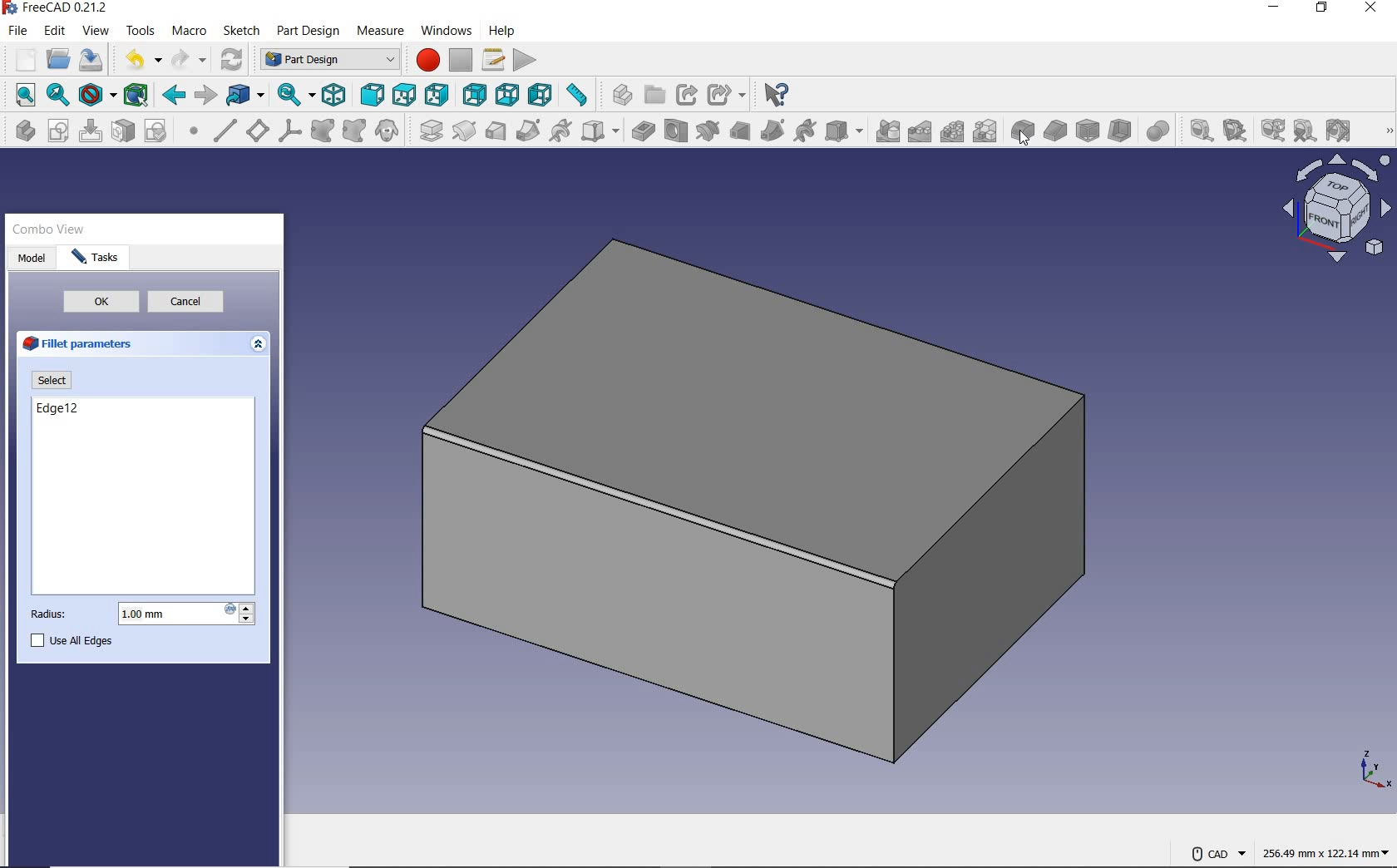  What do you see at coordinates (92, 60) in the screenshot?
I see `save` at bounding box center [92, 60].